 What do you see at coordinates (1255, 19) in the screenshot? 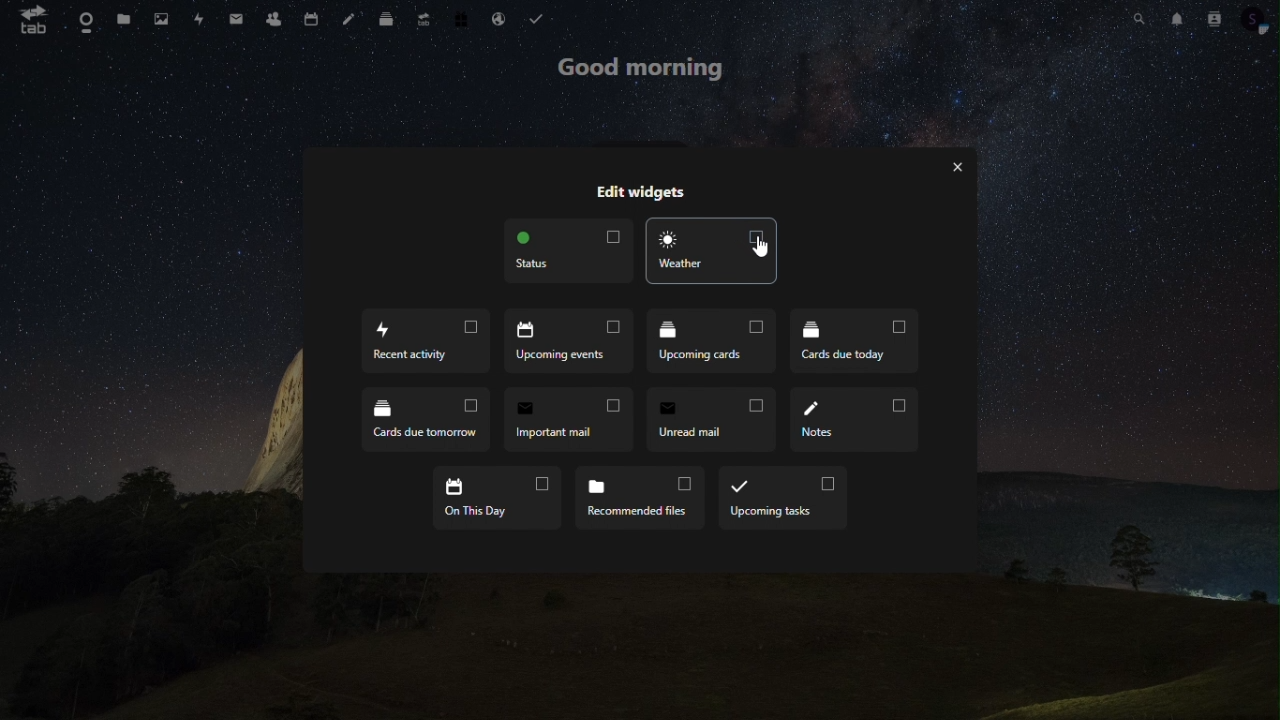
I see `profile` at bounding box center [1255, 19].